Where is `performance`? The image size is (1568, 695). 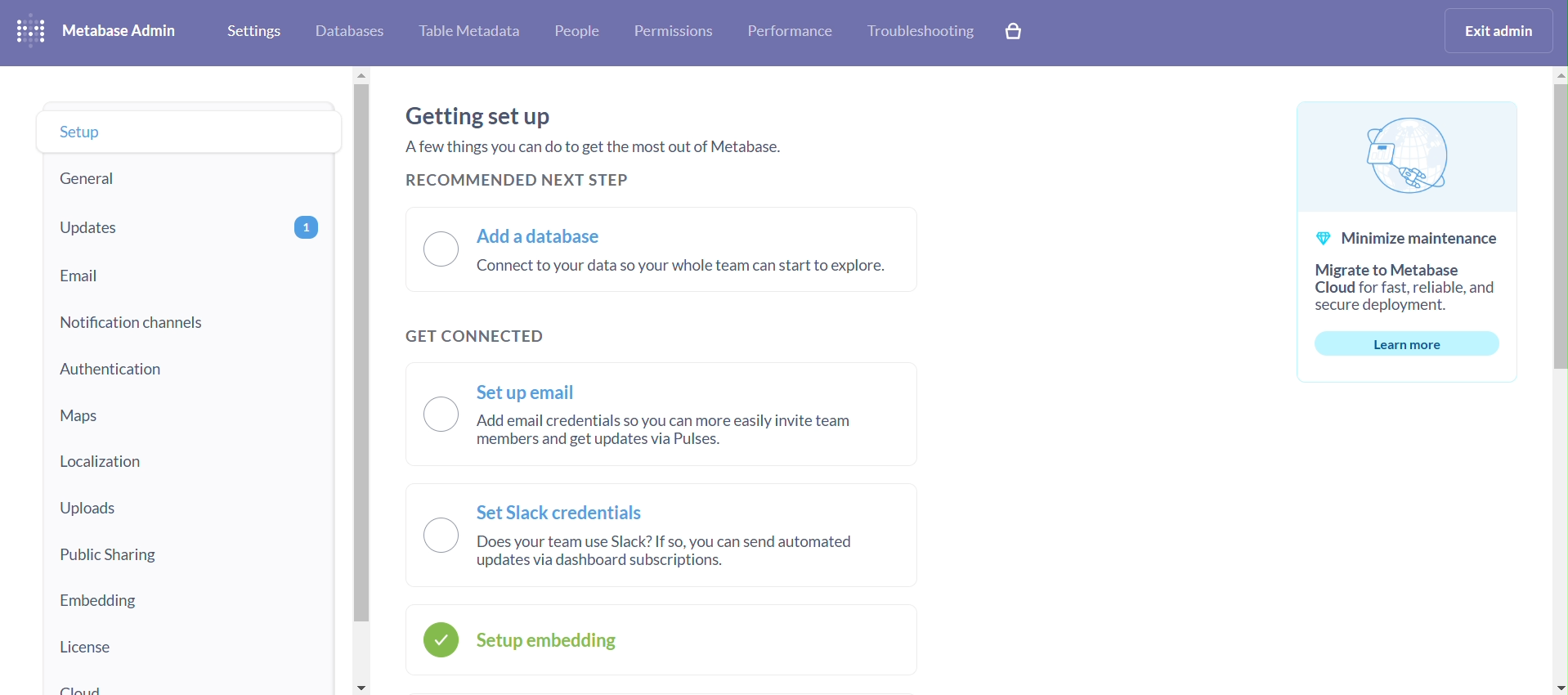 performance is located at coordinates (791, 32).